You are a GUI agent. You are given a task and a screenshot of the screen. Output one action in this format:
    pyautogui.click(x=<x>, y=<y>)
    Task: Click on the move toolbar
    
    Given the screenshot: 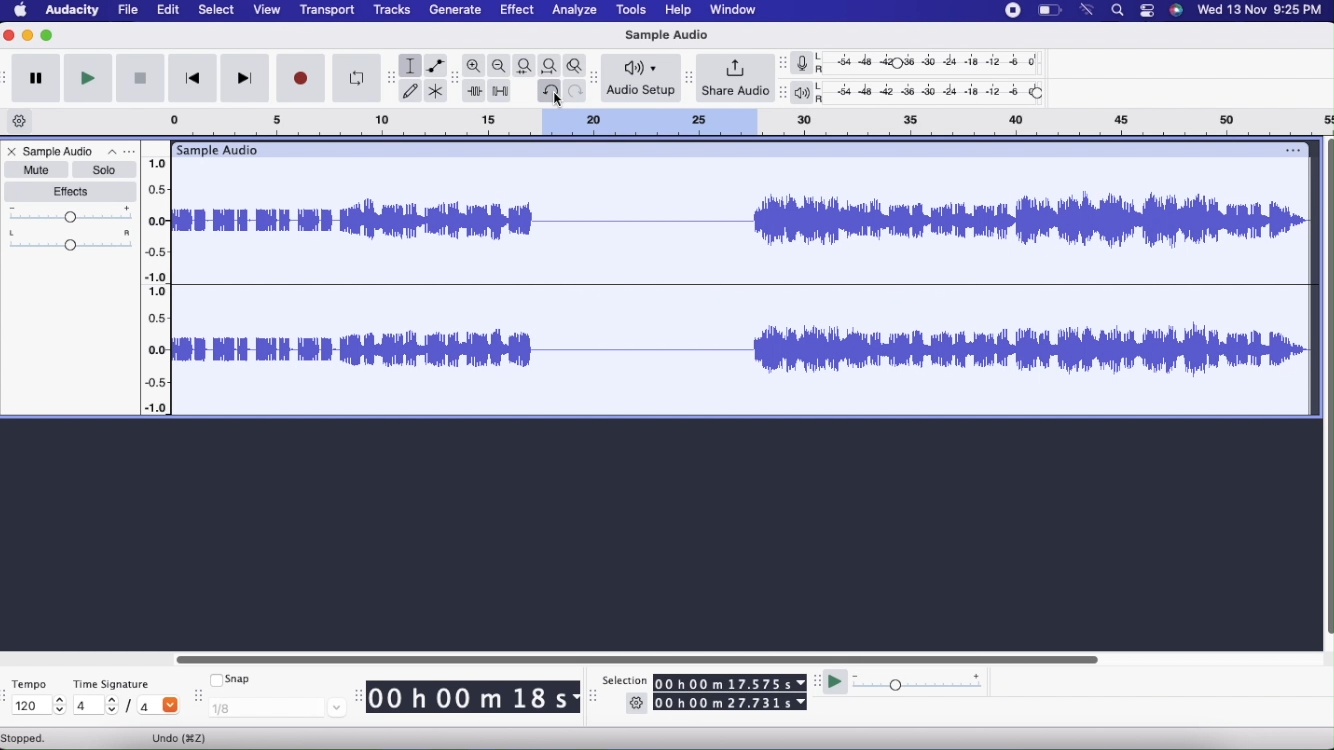 What is the action you would take?
    pyautogui.click(x=592, y=77)
    